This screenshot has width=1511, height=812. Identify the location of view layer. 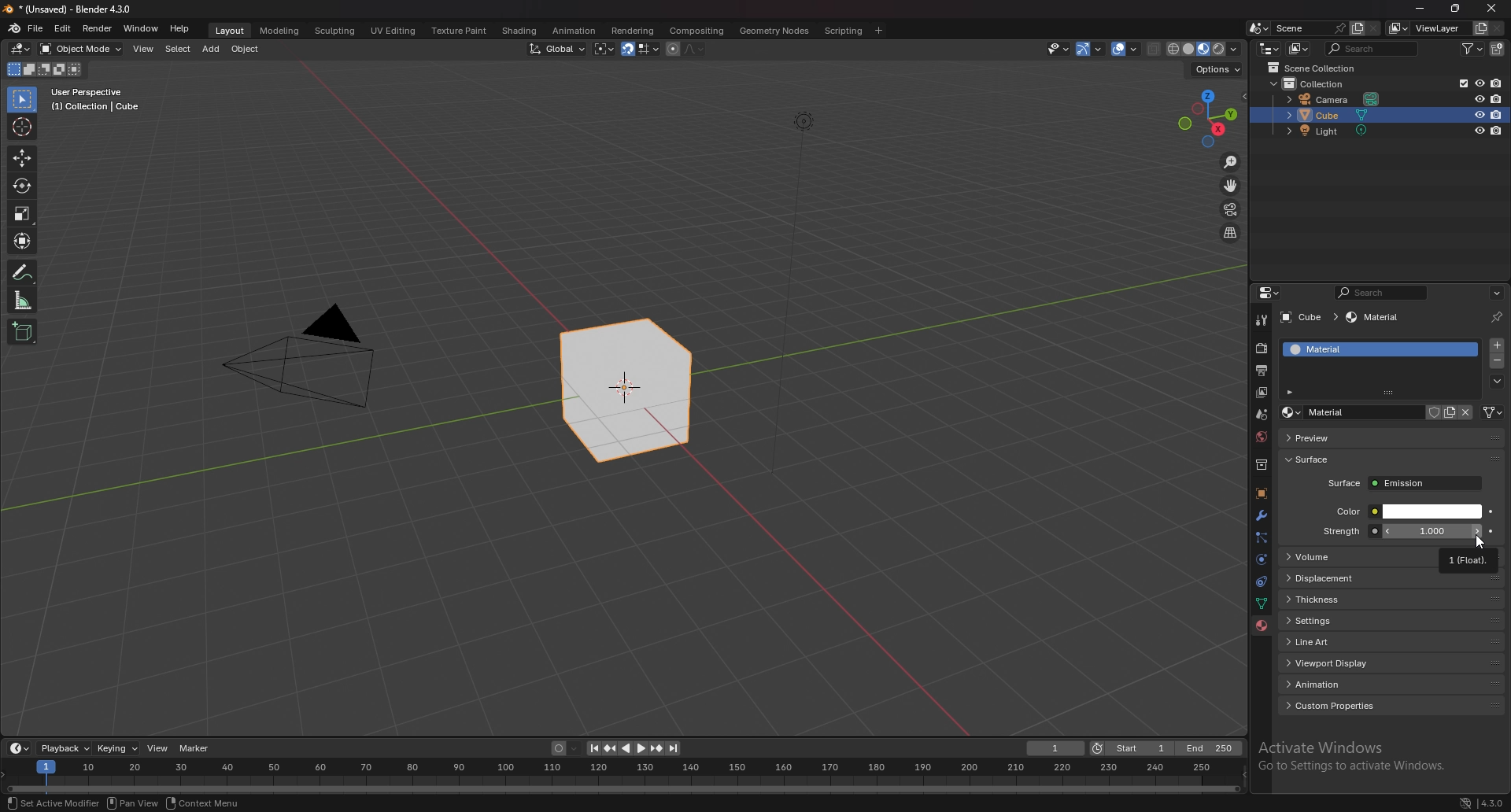
(1429, 28).